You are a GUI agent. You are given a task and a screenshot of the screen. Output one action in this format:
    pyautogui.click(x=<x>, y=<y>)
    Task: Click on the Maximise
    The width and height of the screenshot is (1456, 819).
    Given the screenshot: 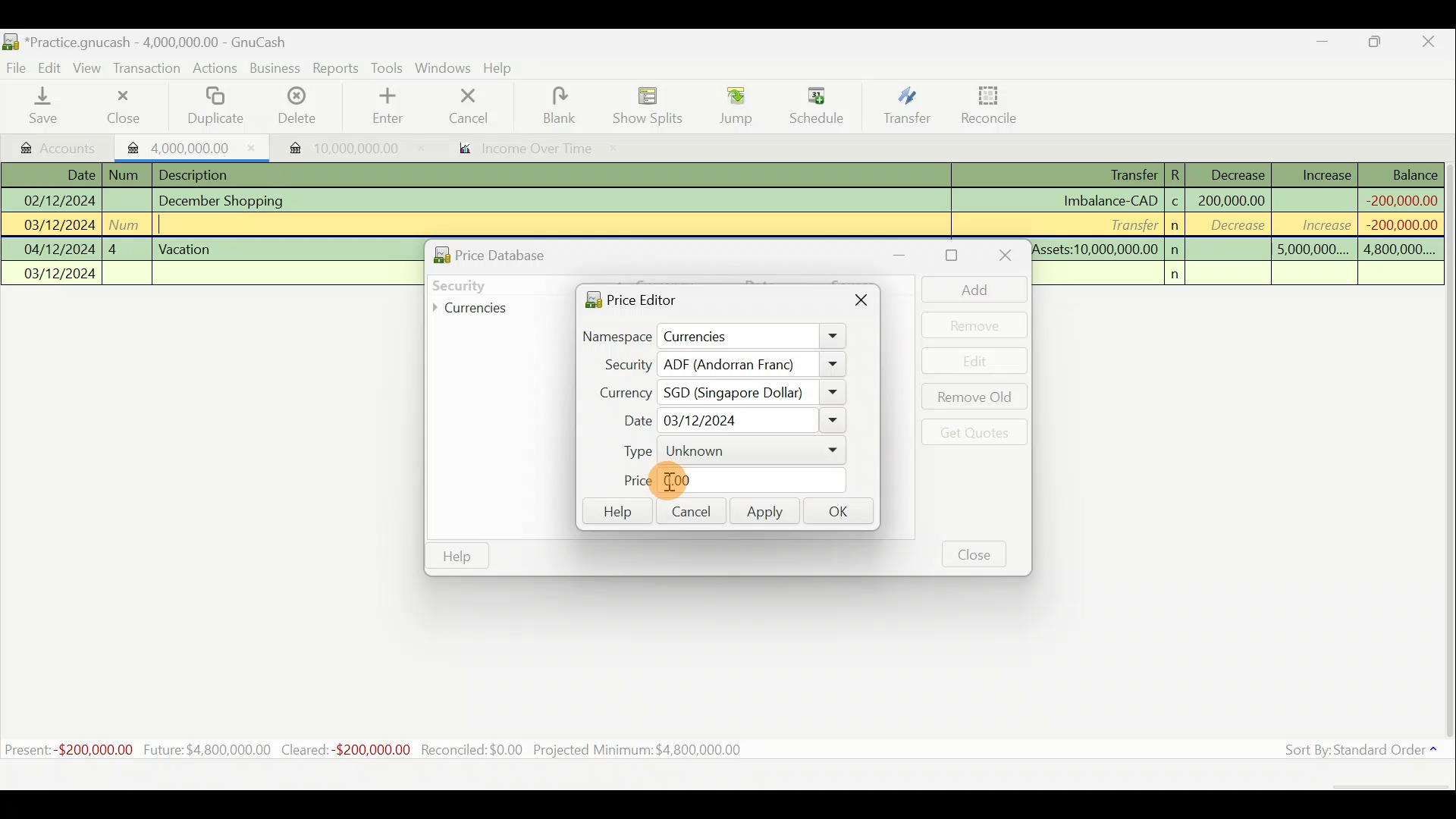 What is the action you would take?
    pyautogui.click(x=954, y=256)
    